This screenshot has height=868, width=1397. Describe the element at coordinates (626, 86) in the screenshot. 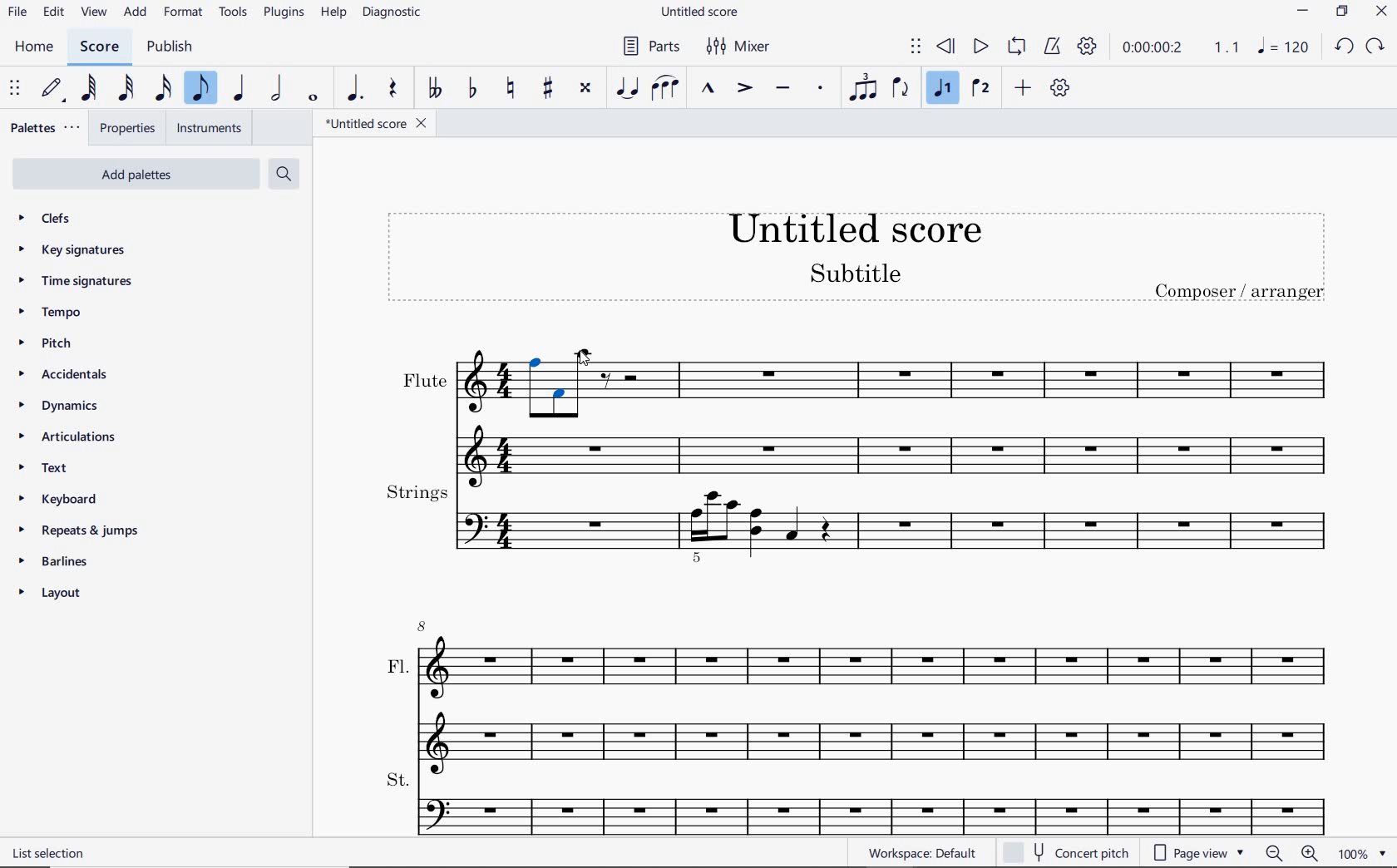

I see `TIE` at that location.